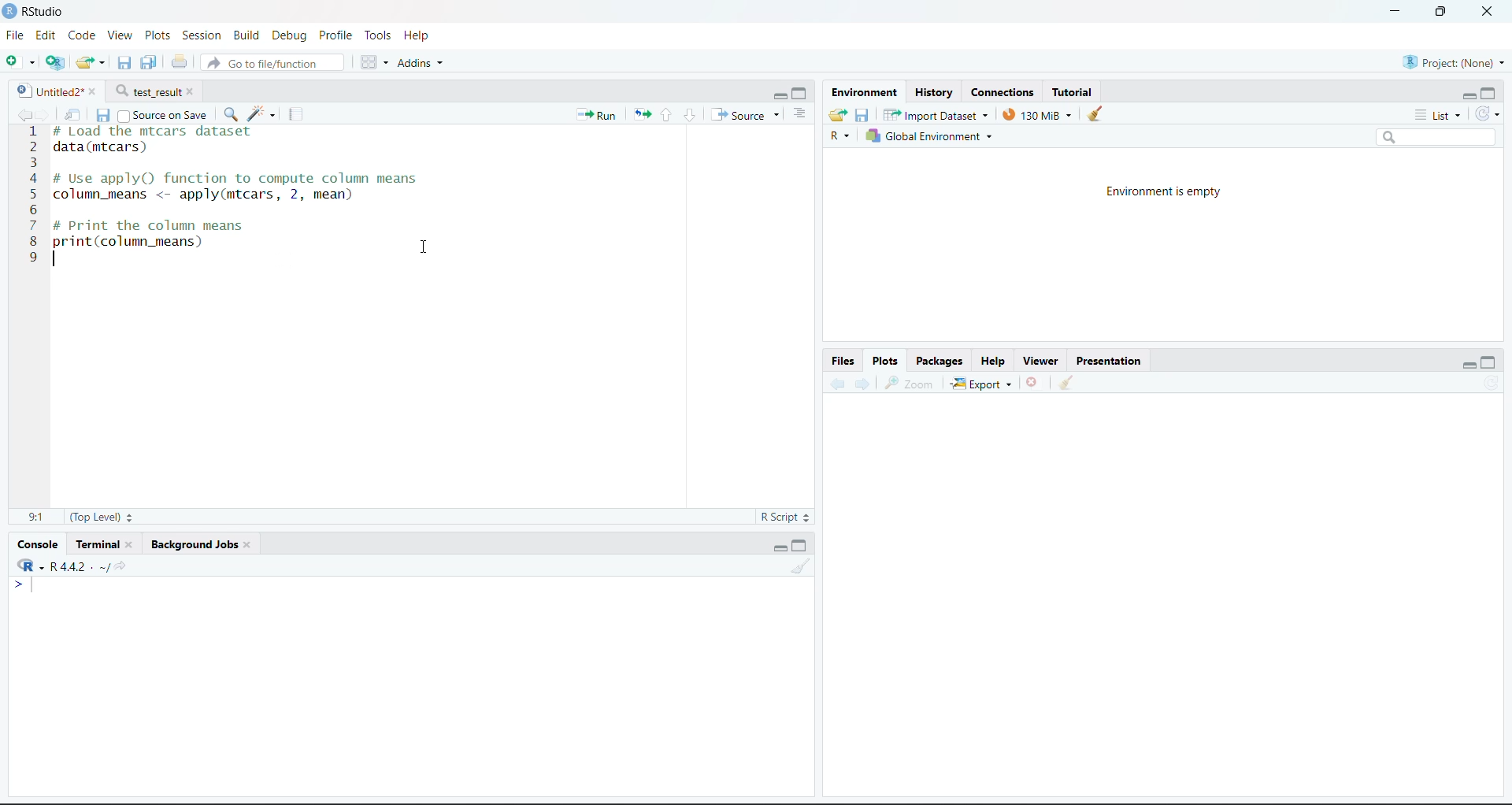 The height and width of the screenshot is (805, 1512). I want to click on R, so click(27, 566).